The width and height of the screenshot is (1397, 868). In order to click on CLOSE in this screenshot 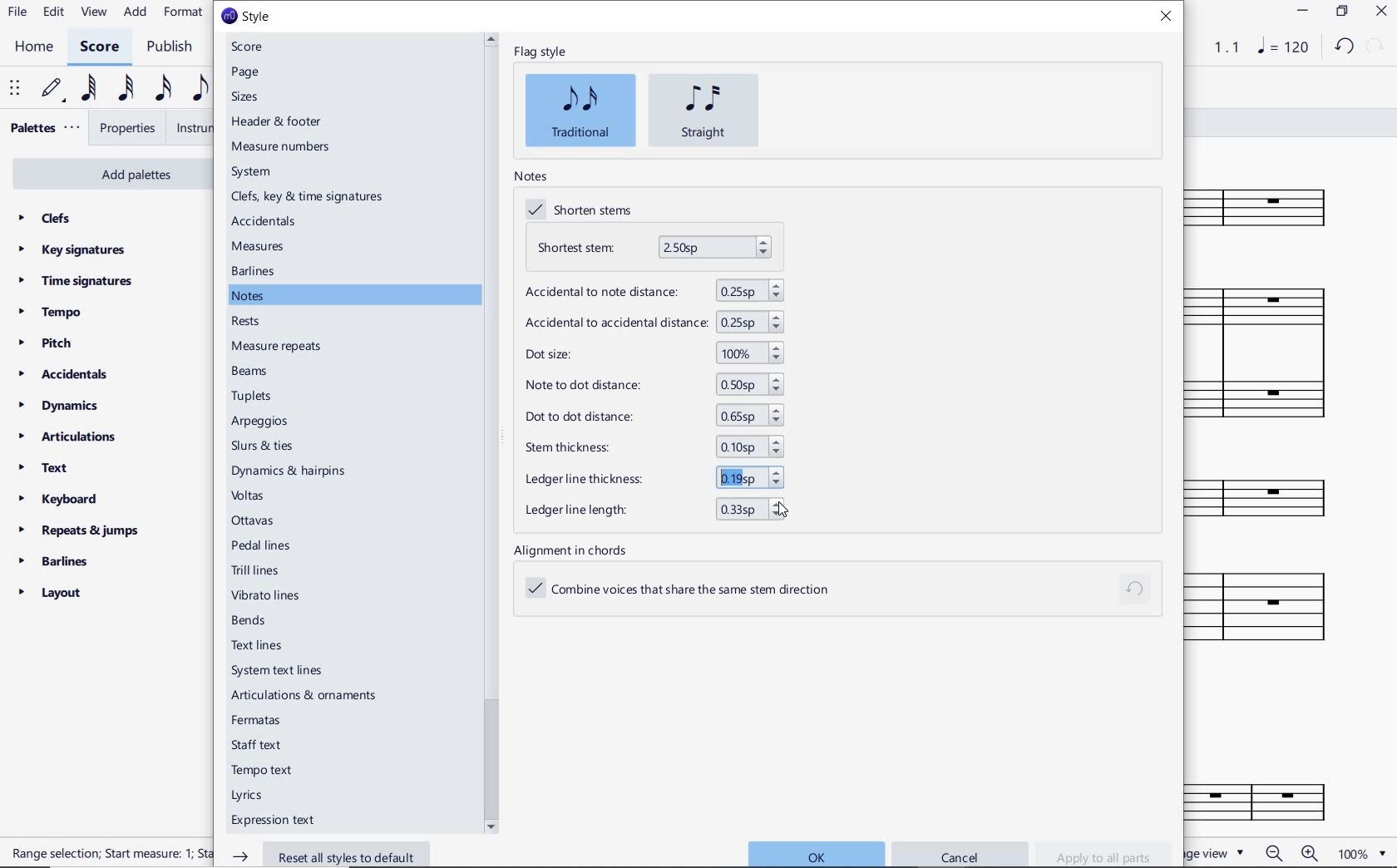, I will do `click(1381, 12)`.